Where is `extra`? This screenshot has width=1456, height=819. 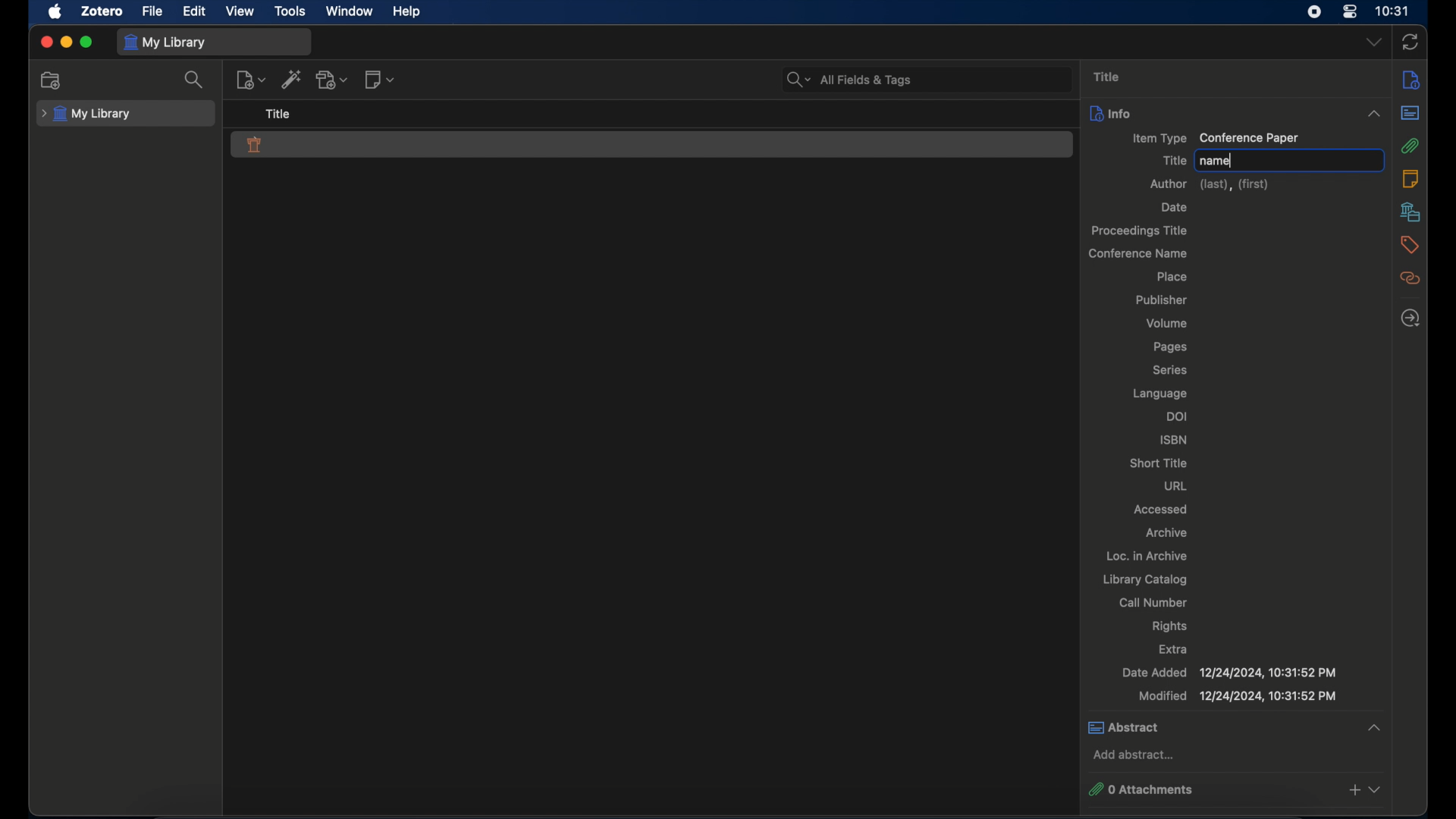
extra is located at coordinates (1173, 649).